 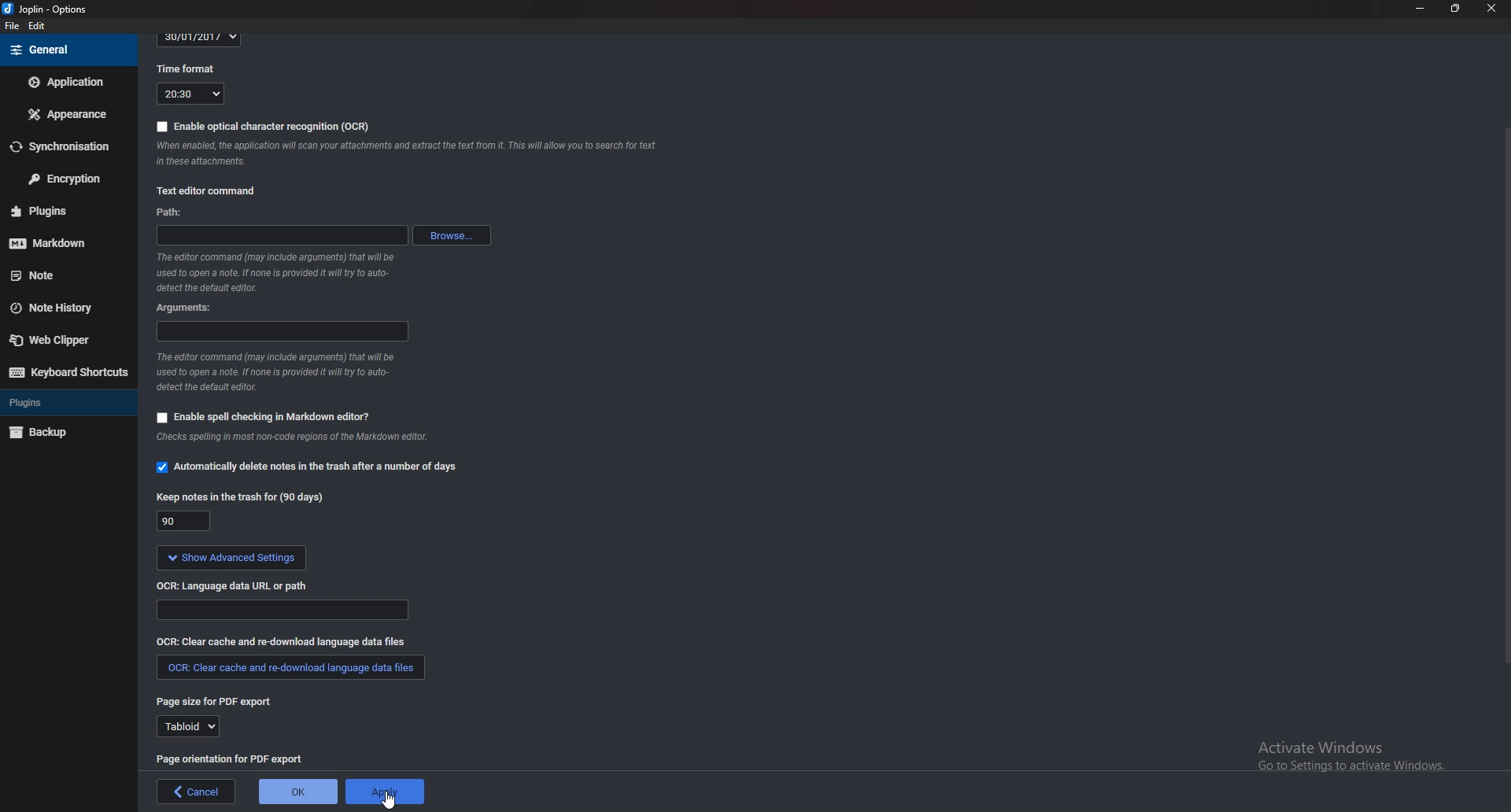 What do you see at coordinates (66, 145) in the screenshot?
I see `Synchronization` at bounding box center [66, 145].